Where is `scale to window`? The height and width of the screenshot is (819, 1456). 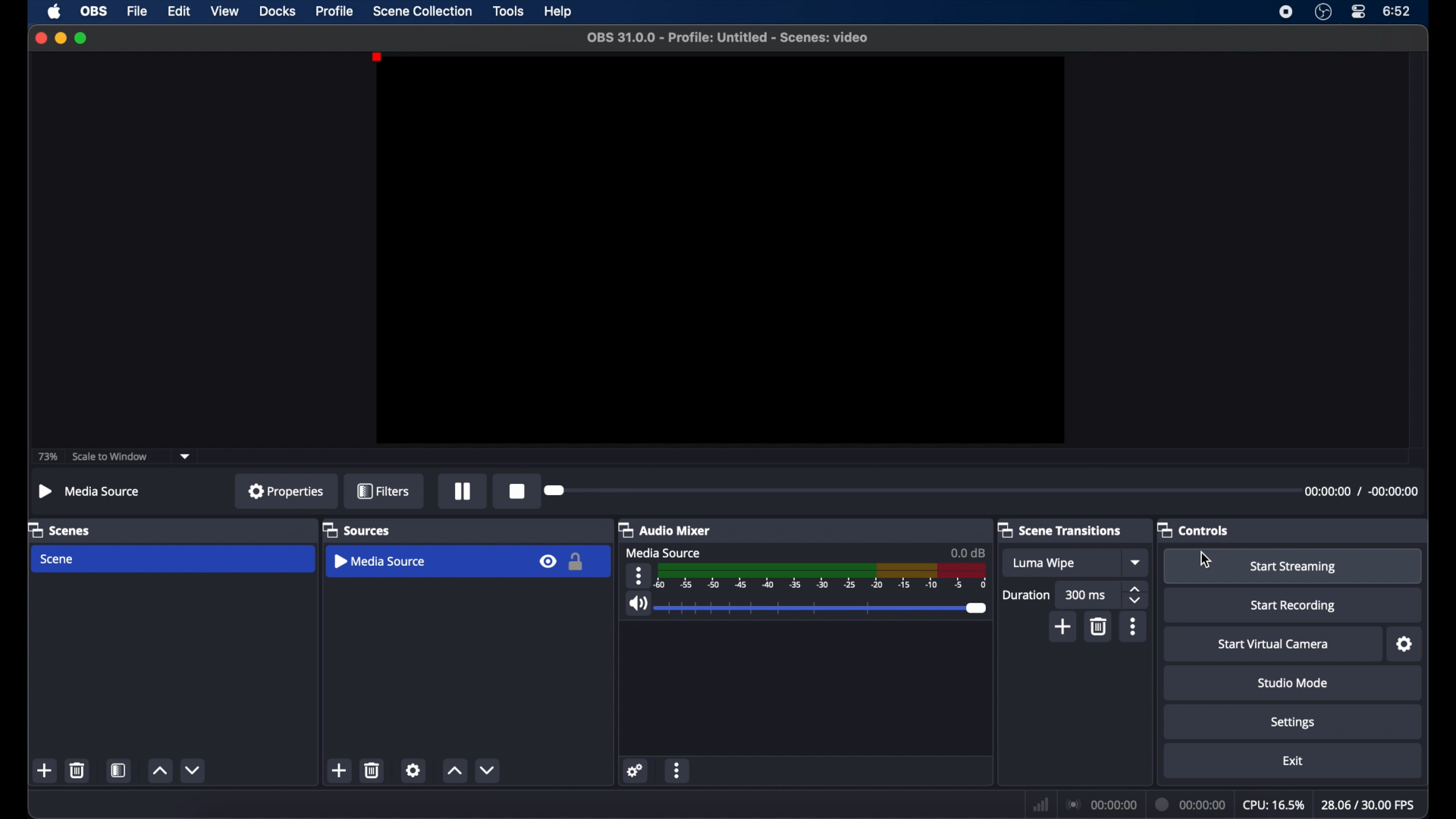
scale to window is located at coordinates (109, 457).